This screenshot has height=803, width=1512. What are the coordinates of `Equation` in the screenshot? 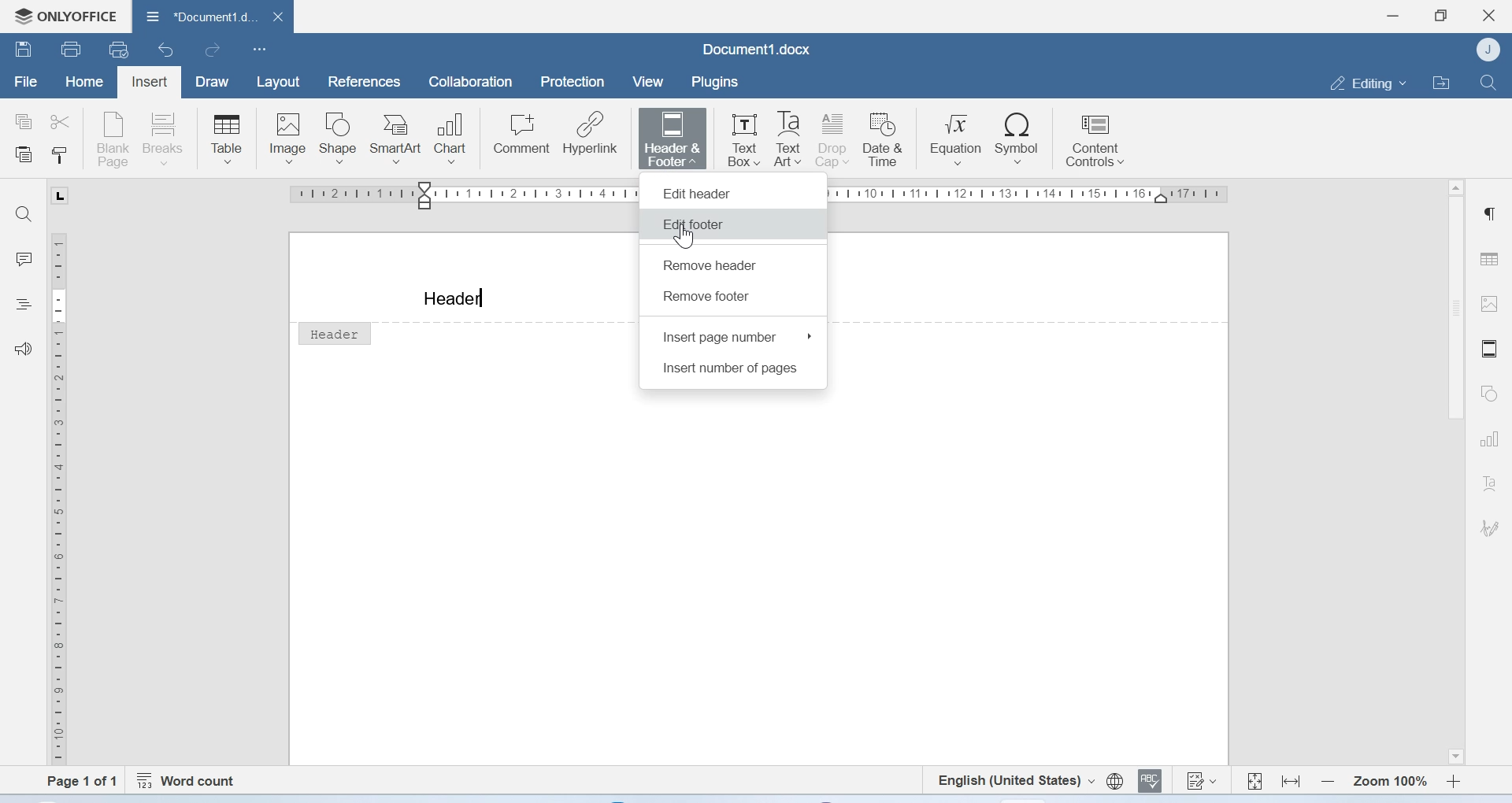 It's located at (957, 139).